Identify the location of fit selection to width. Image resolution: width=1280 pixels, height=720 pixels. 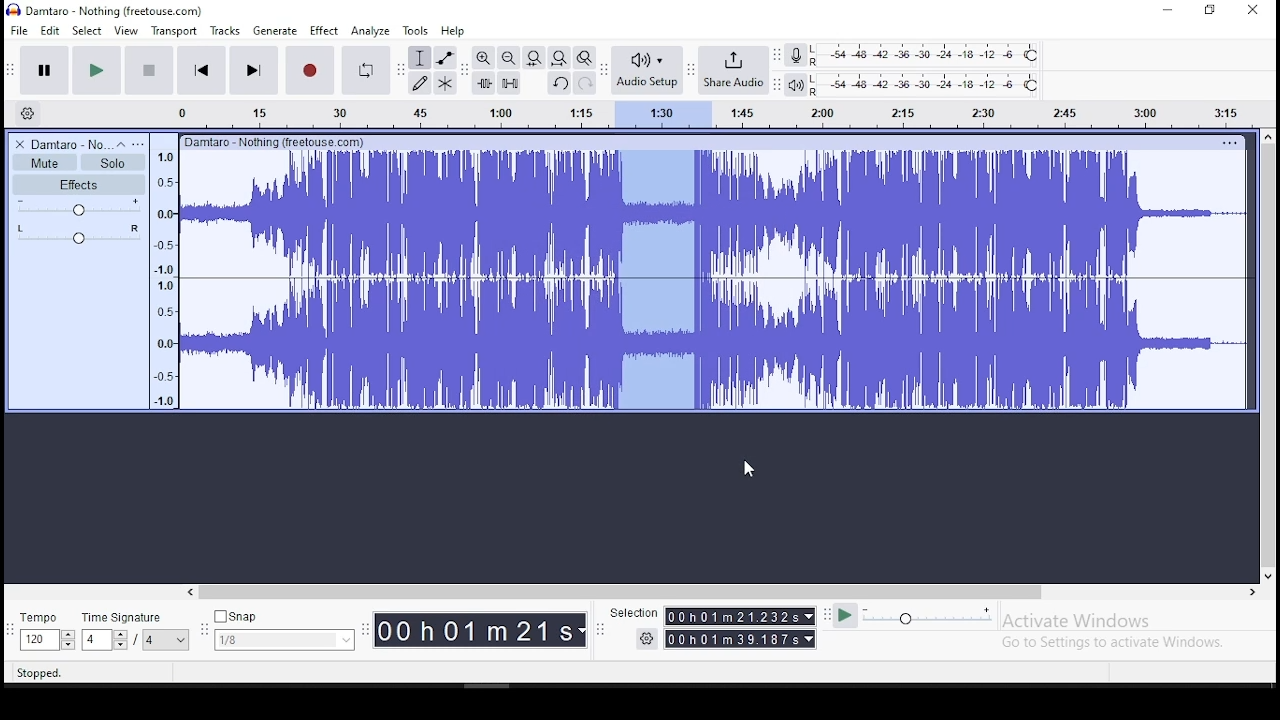
(533, 56).